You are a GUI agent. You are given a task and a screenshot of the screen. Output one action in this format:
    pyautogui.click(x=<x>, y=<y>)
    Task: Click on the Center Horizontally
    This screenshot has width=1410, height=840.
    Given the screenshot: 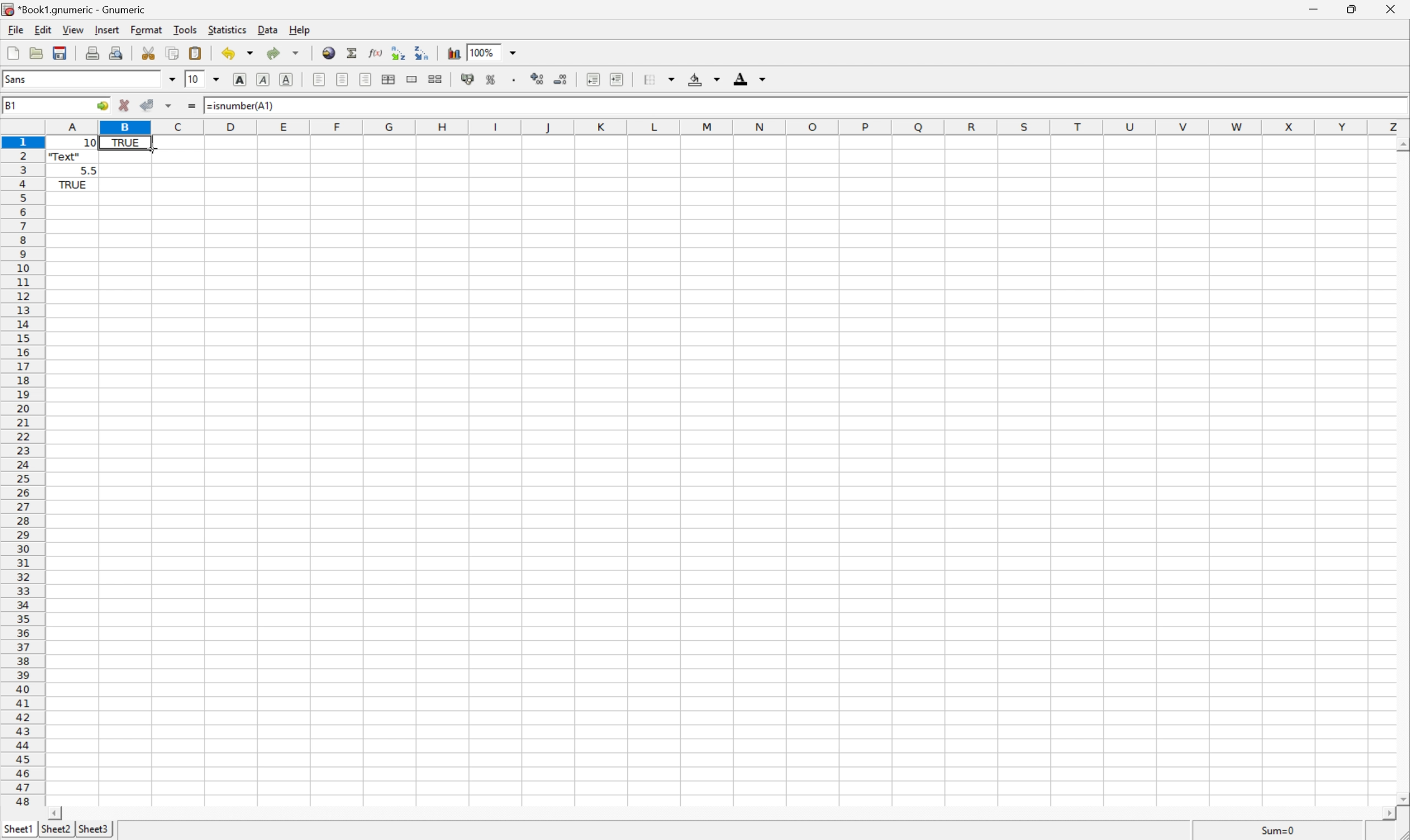 What is the action you would take?
    pyautogui.click(x=343, y=80)
    